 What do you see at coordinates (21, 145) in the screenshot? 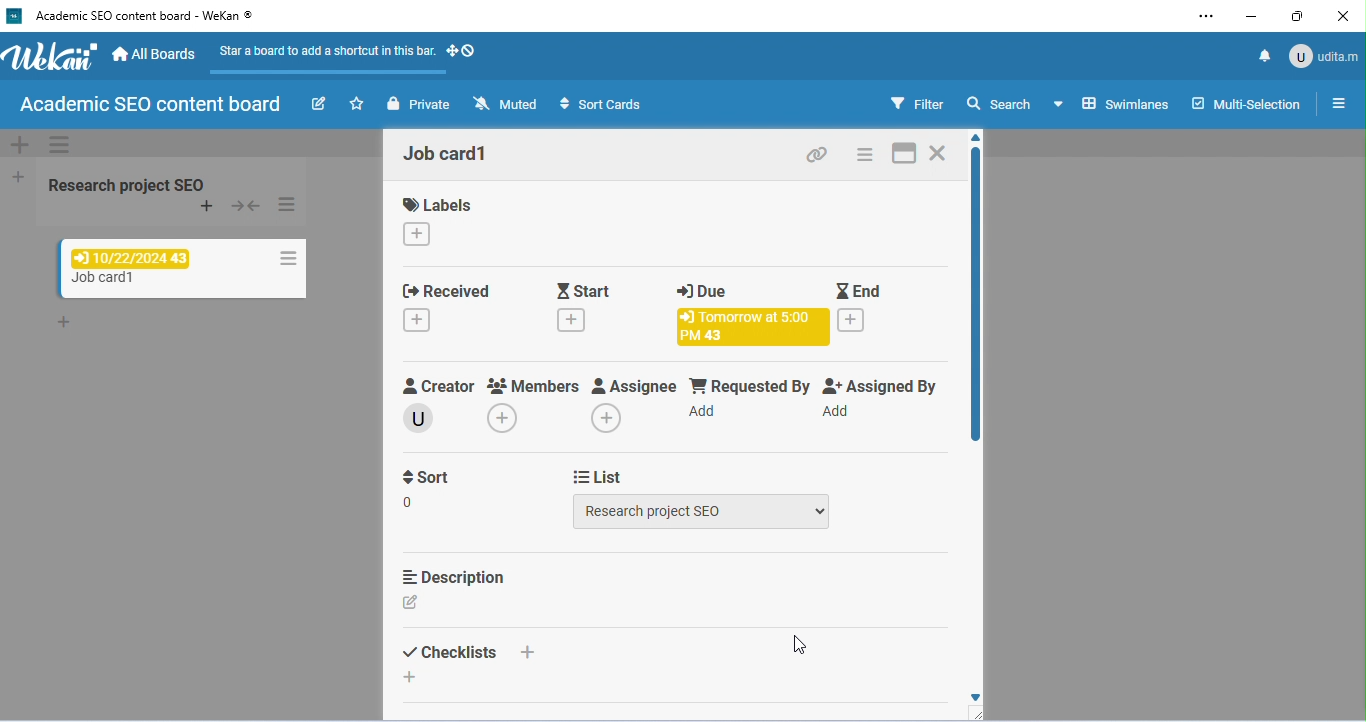
I see `add swimelane` at bounding box center [21, 145].